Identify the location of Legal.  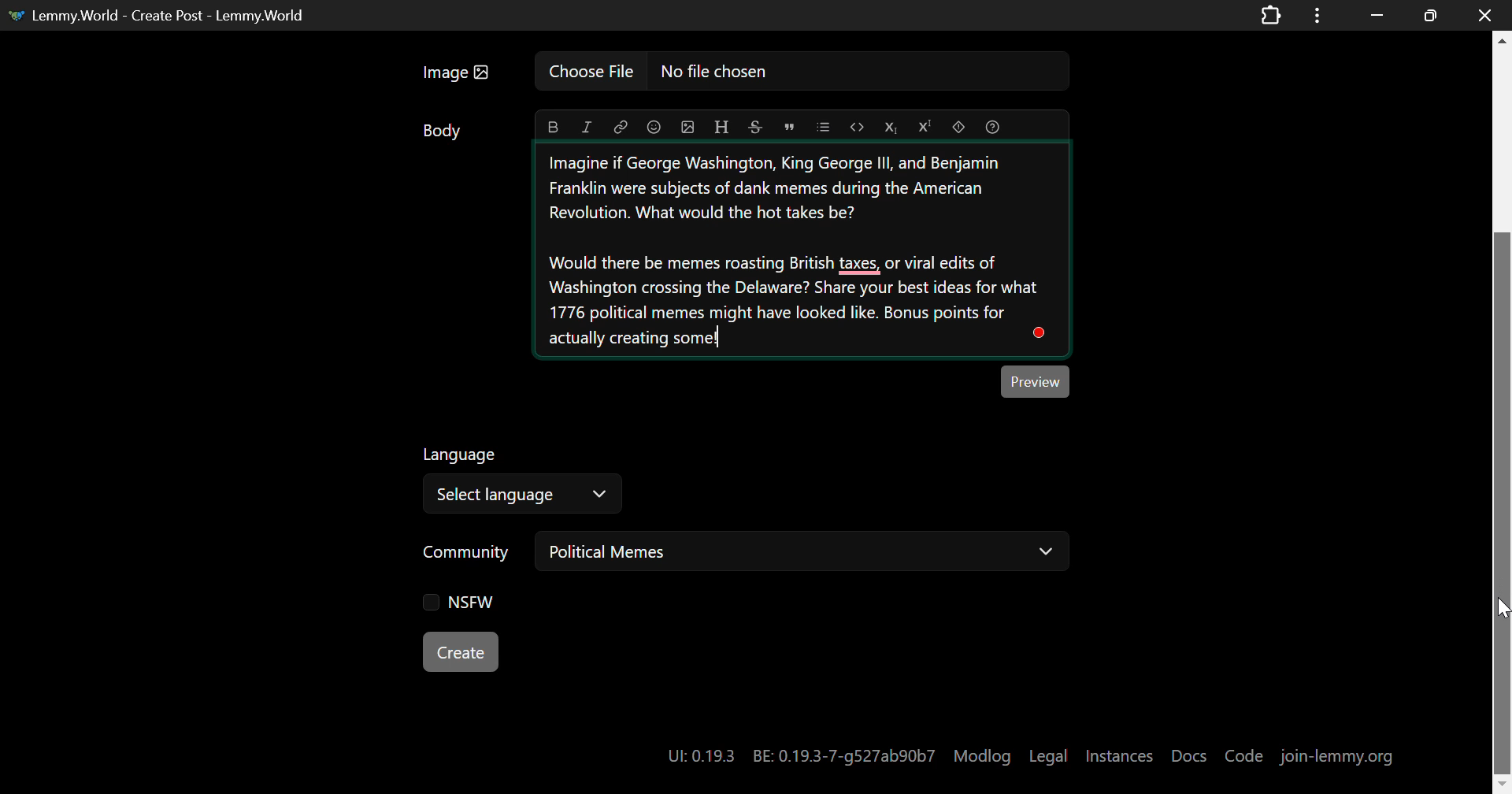
(1048, 756).